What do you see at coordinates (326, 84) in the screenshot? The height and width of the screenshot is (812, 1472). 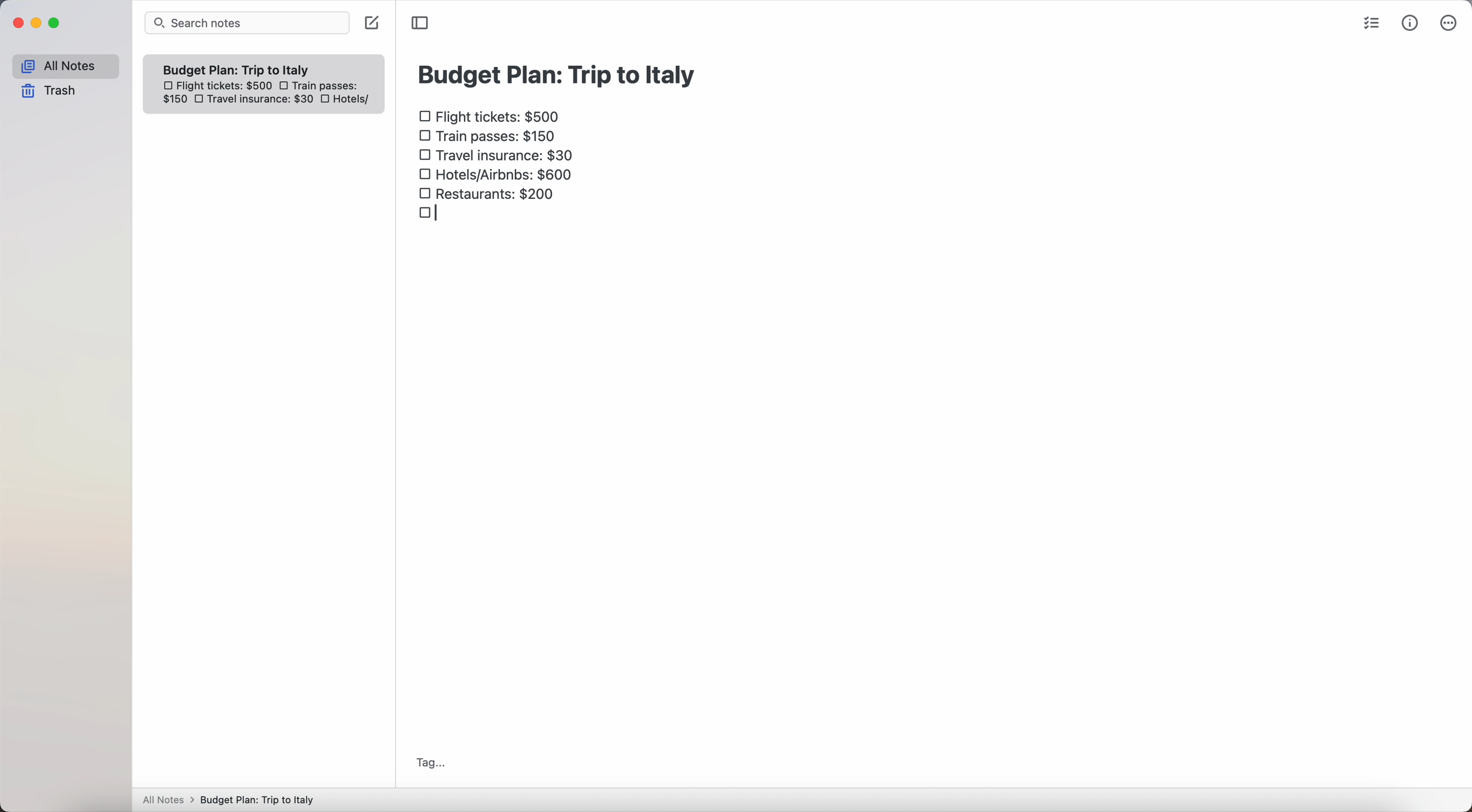 I see `train passes` at bounding box center [326, 84].